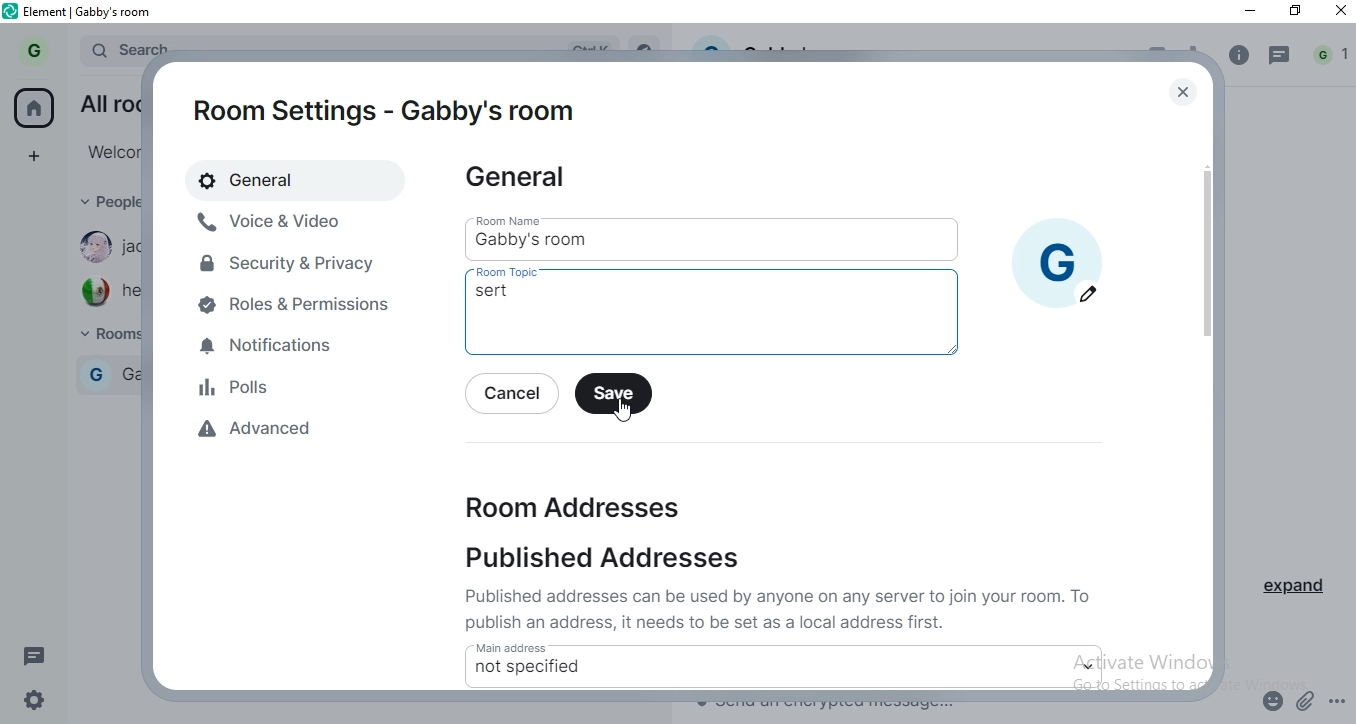 Image resolution: width=1356 pixels, height=724 pixels. Describe the element at coordinates (614, 392) in the screenshot. I see `save` at that location.